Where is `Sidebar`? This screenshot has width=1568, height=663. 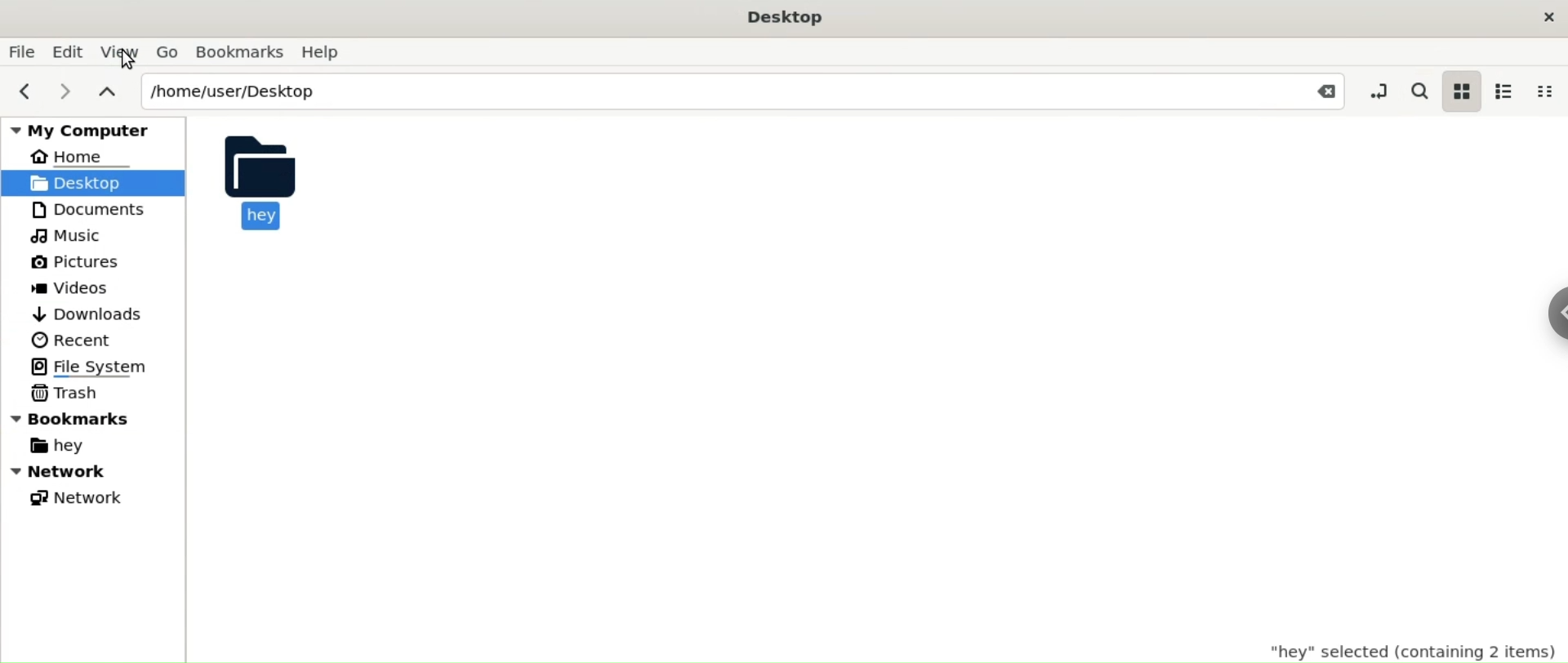 Sidebar is located at coordinates (1550, 315).